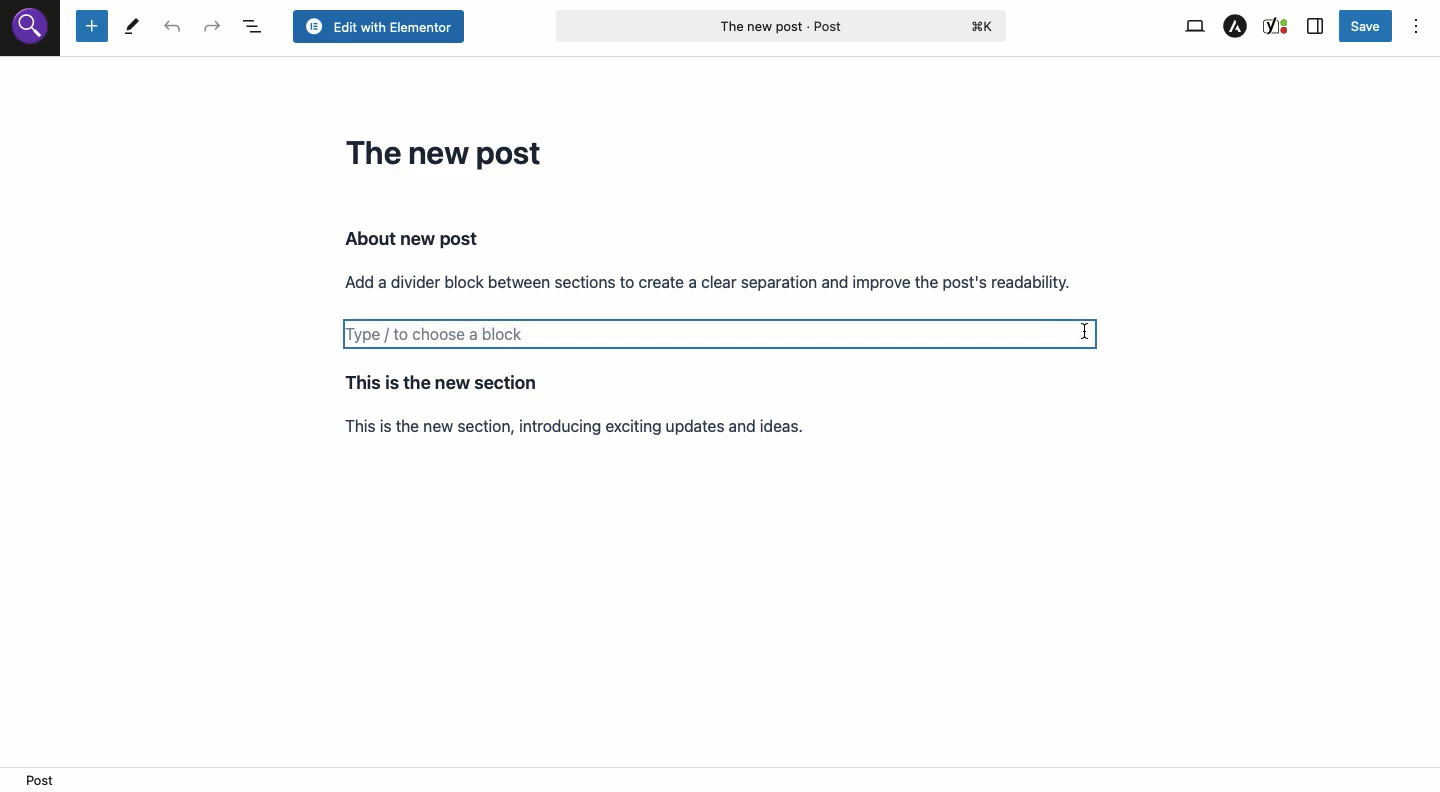 This screenshot has height=792, width=1440. What do you see at coordinates (91, 27) in the screenshot?
I see `New block` at bounding box center [91, 27].